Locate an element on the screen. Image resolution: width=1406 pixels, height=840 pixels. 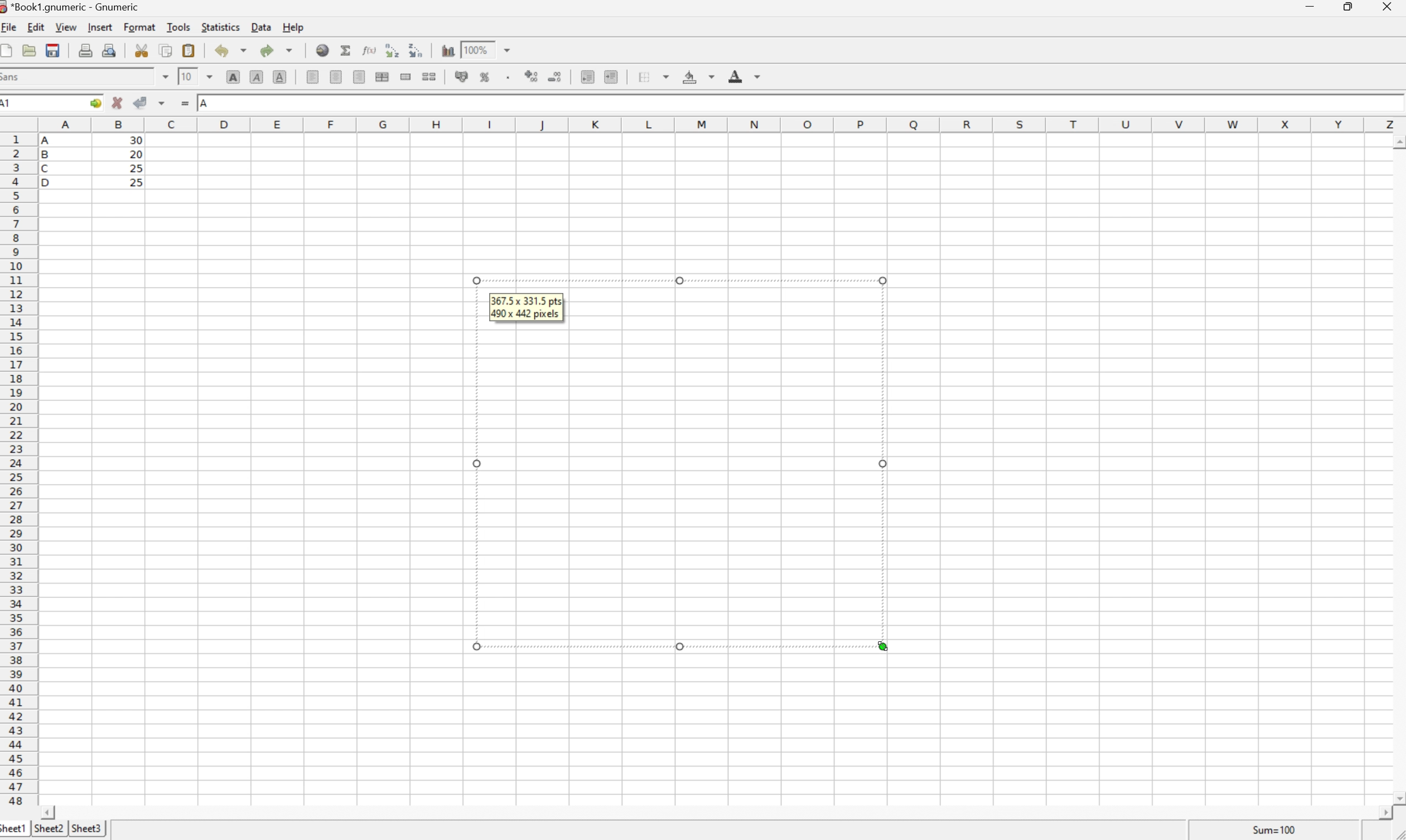
25 is located at coordinates (138, 182).